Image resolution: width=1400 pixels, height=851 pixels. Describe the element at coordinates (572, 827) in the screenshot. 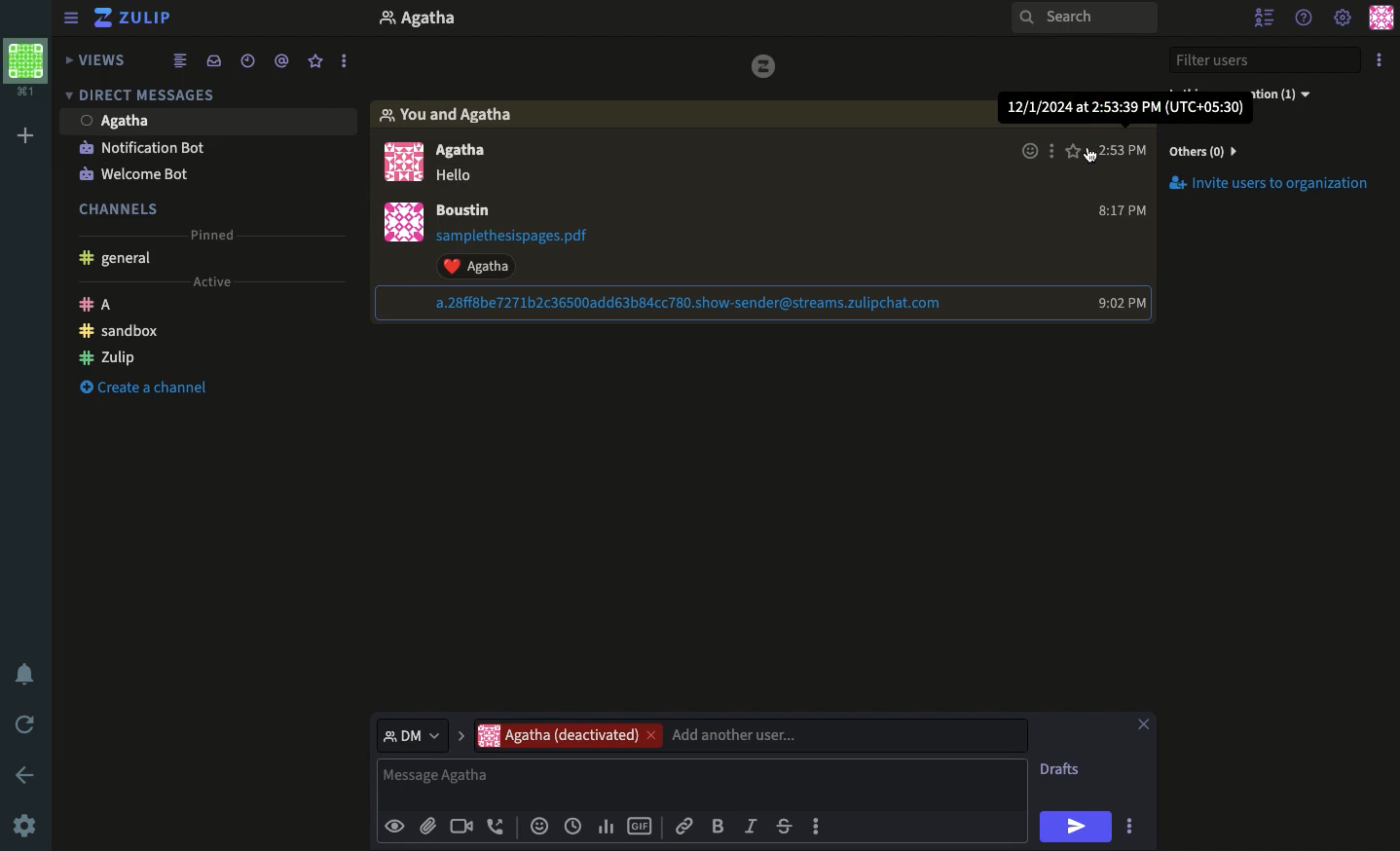

I see `Time` at that location.